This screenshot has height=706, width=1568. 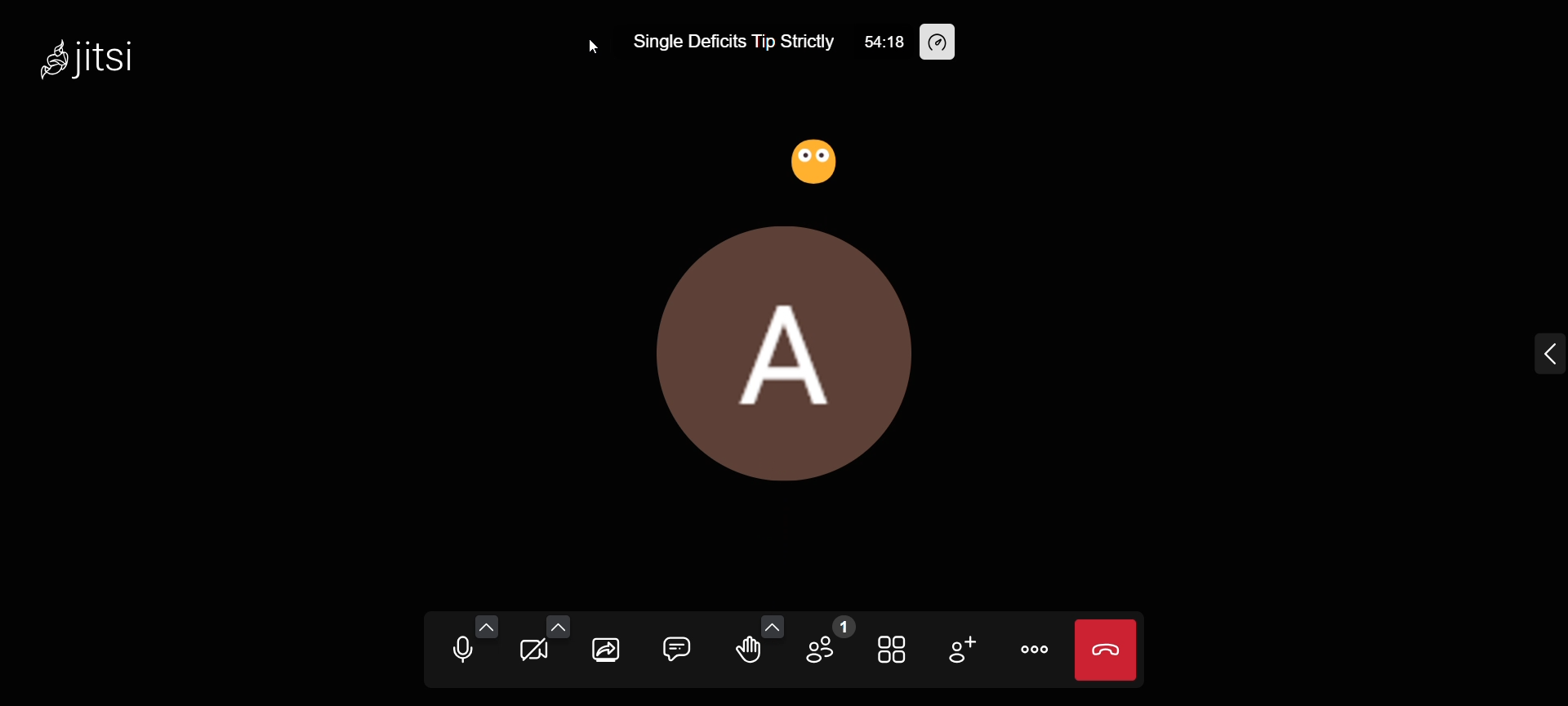 I want to click on open chat, so click(x=674, y=647).